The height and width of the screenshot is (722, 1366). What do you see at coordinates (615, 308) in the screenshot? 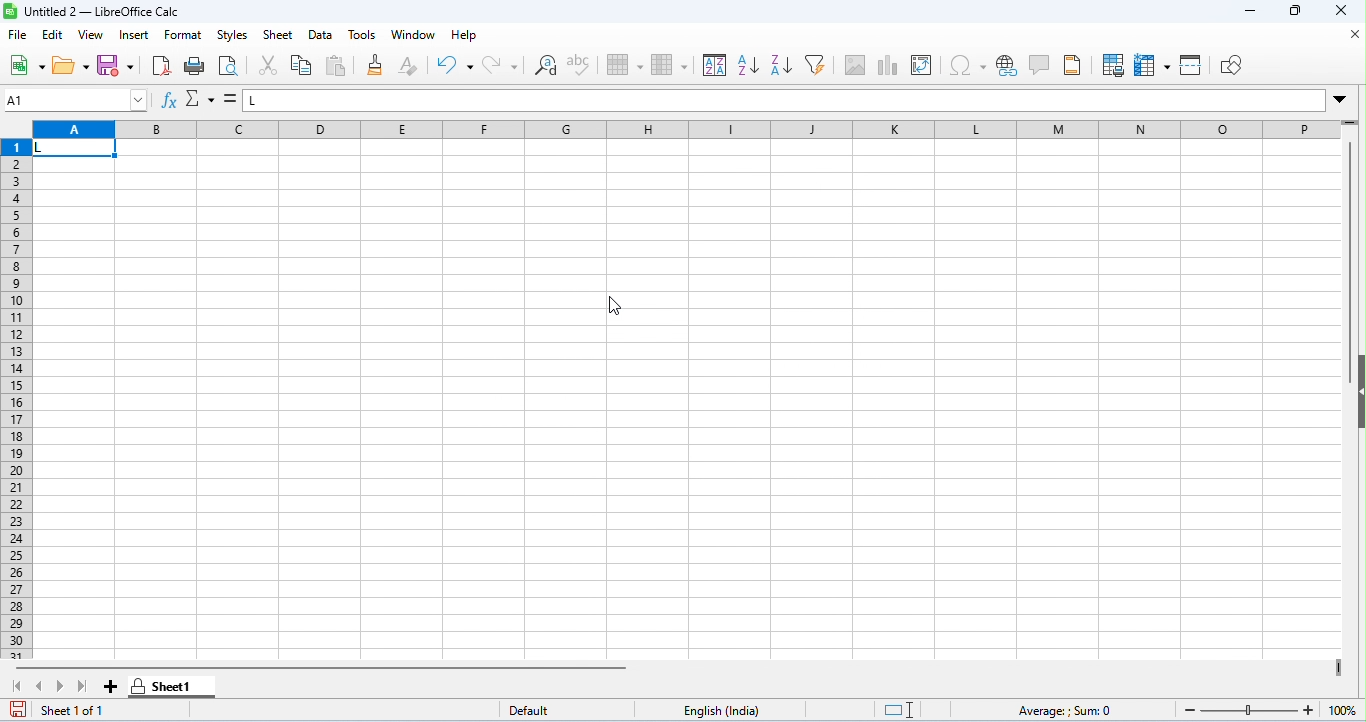
I see `cursor` at bounding box center [615, 308].